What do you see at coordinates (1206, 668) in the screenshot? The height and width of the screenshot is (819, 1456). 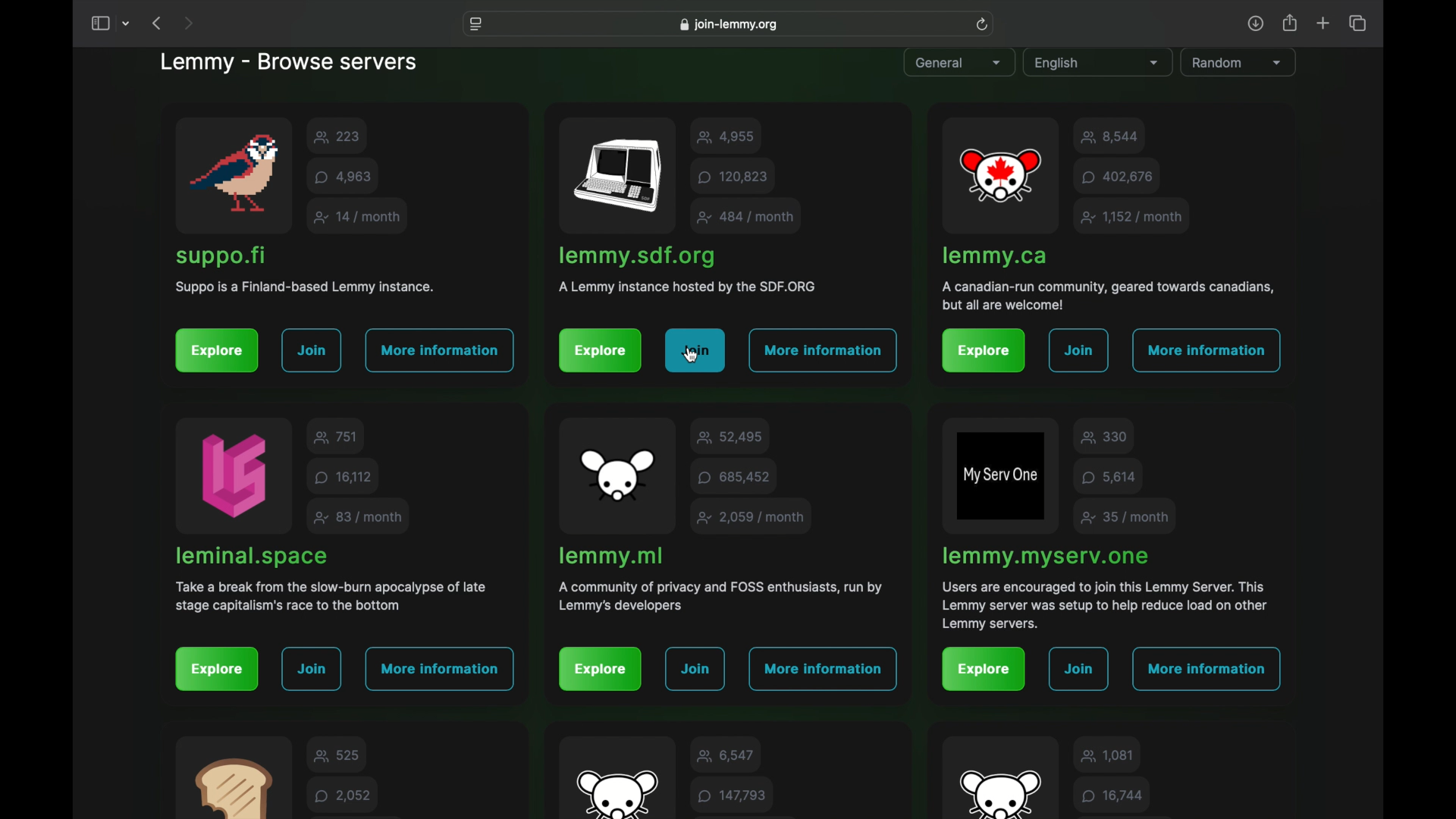 I see `more information` at bounding box center [1206, 668].